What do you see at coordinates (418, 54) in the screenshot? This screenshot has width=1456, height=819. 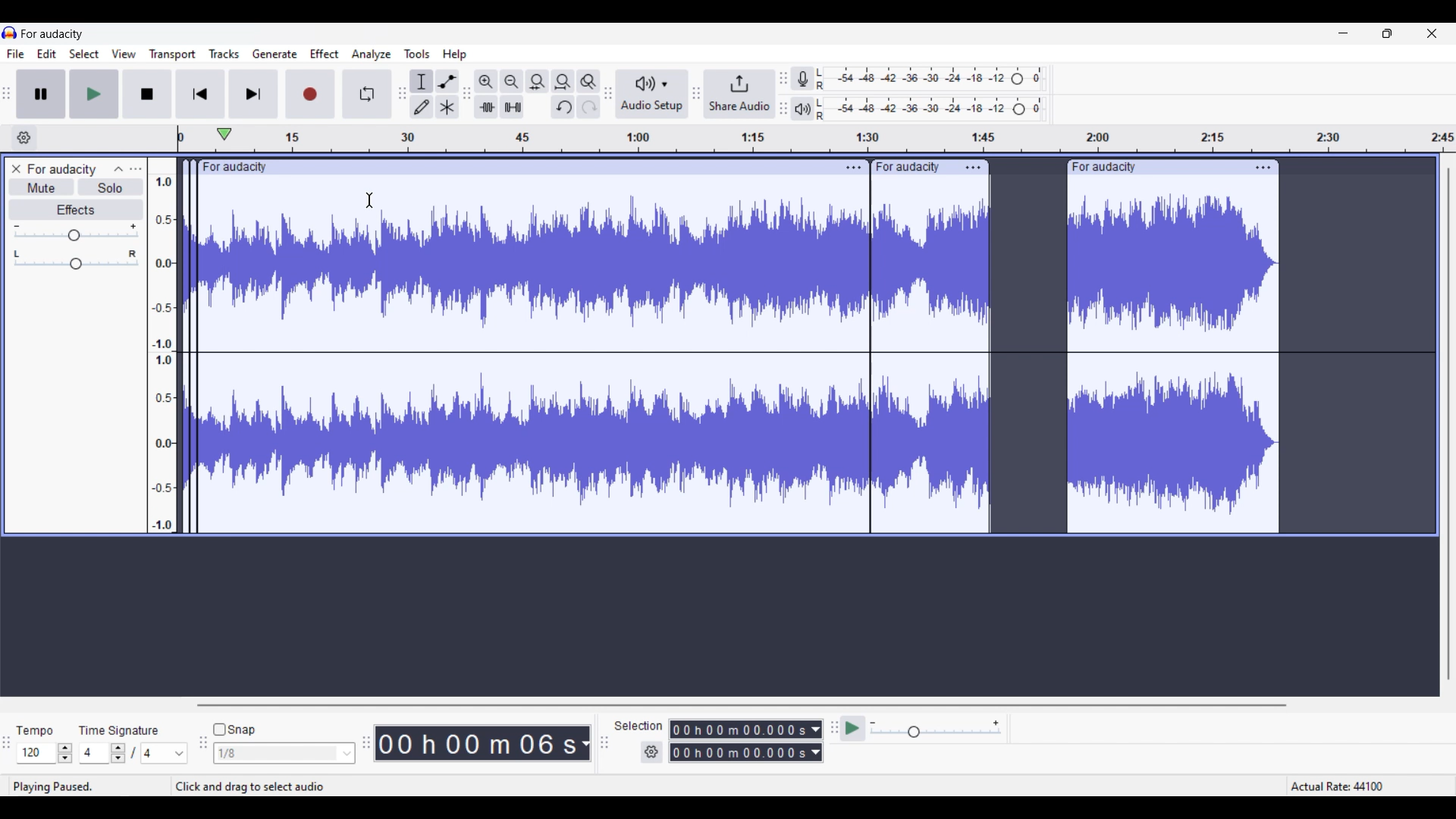 I see `Tools menu` at bounding box center [418, 54].